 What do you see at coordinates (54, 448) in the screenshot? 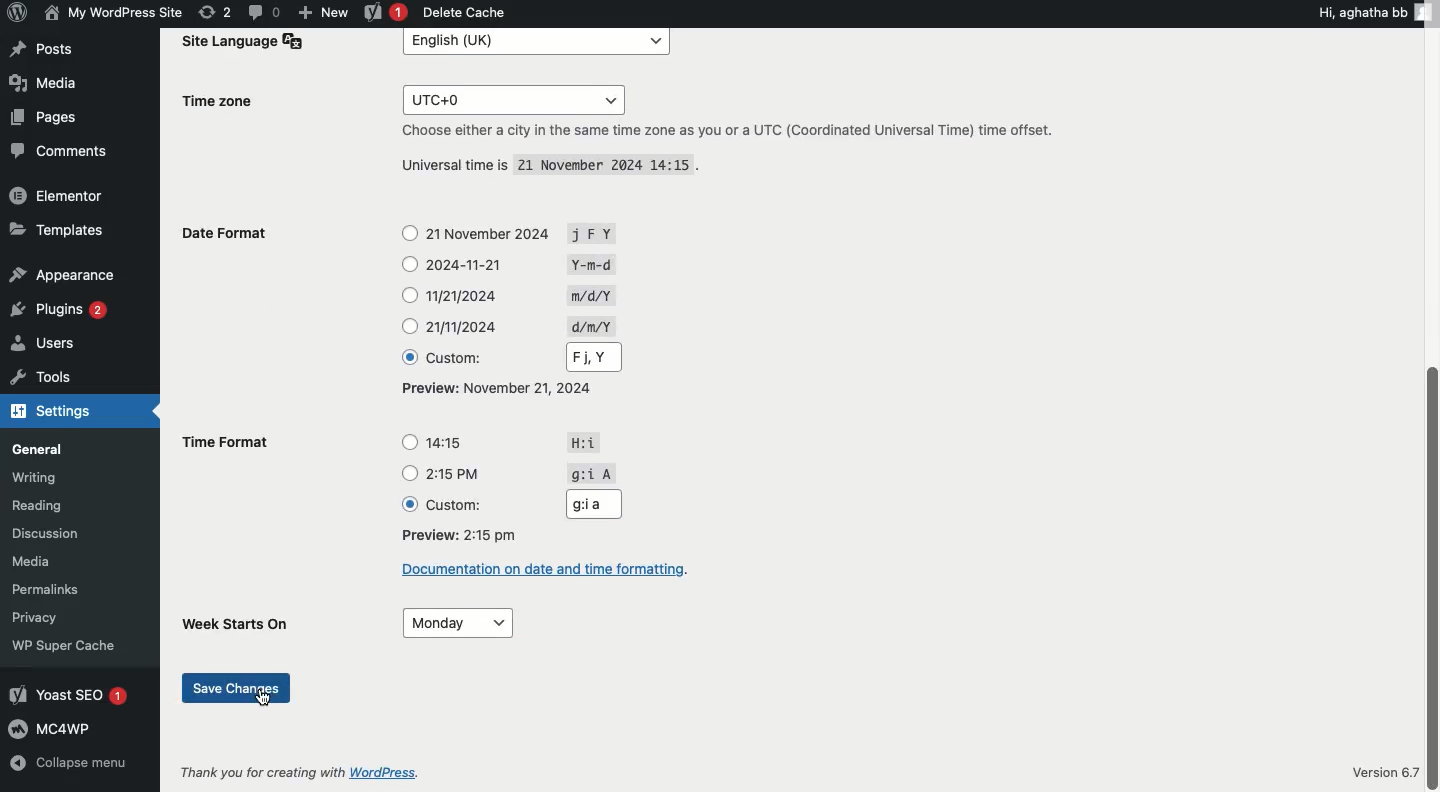
I see `General` at bounding box center [54, 448].